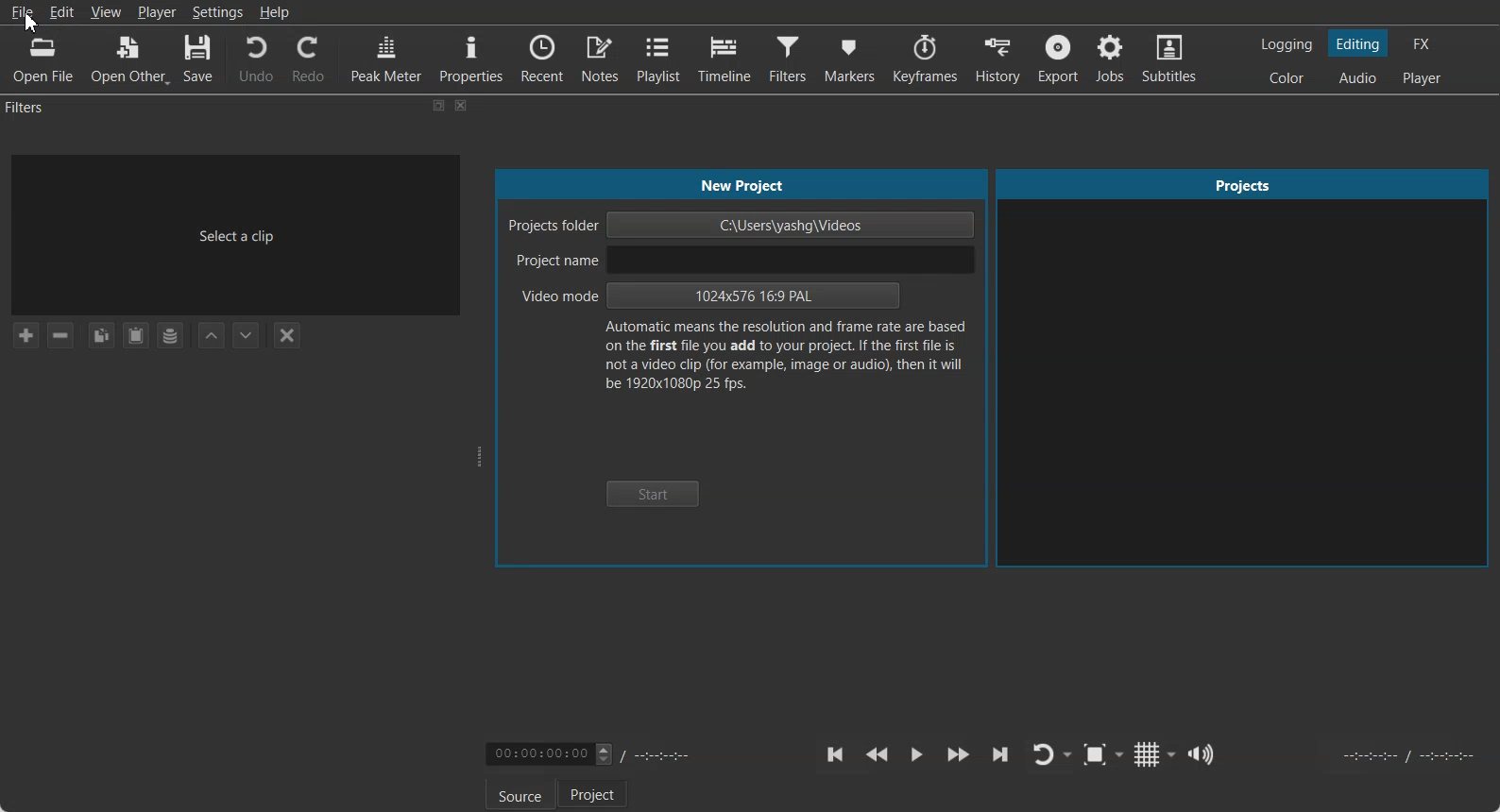 The width and height of the screenshot is (1500, 812). What do you see at coordinates (659, 58) in the screenshot?
I see `Playlist` at bounding box center [659, 58].